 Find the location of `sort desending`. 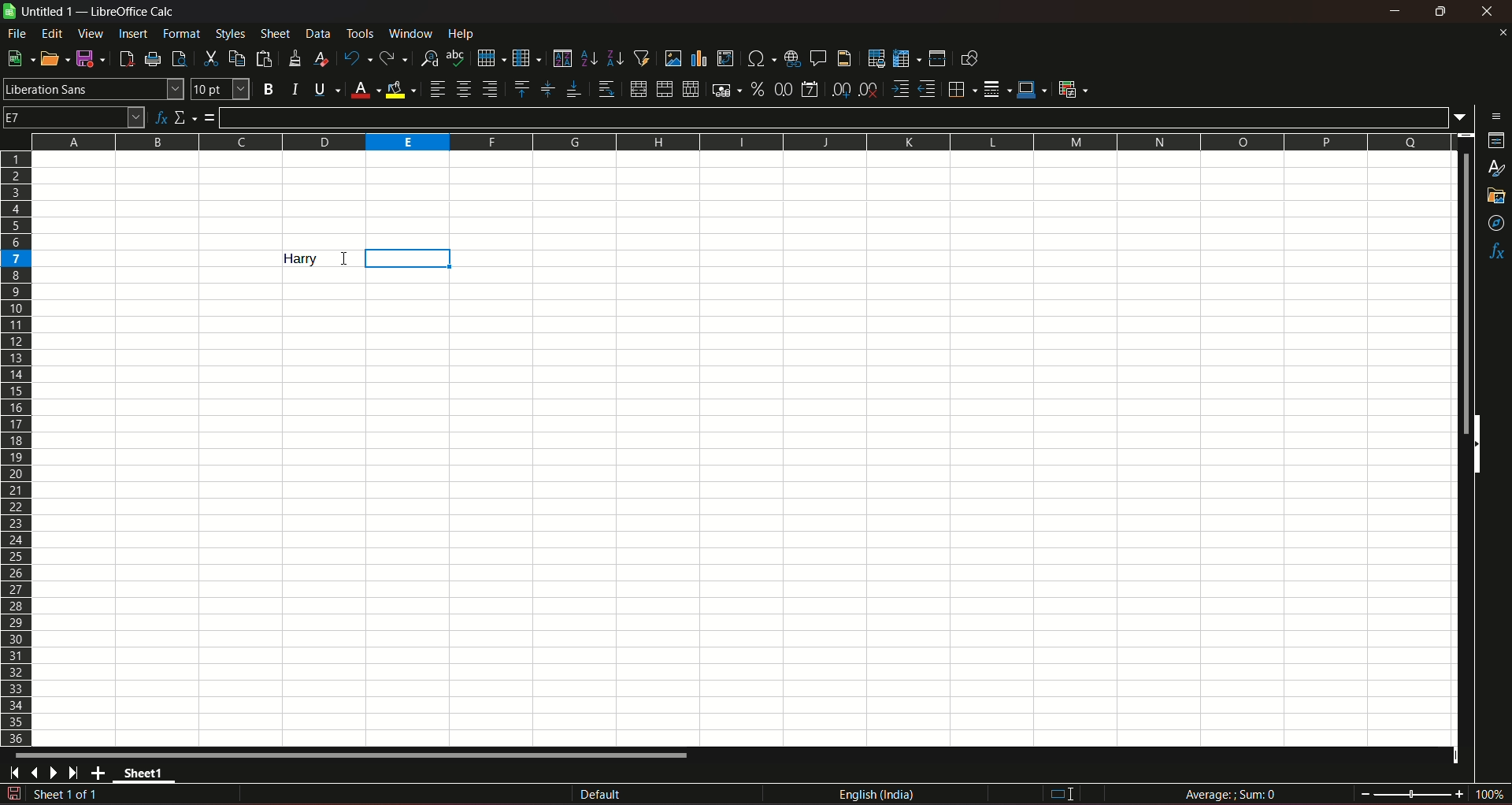

sort desending is located at coordinates (616, 57).